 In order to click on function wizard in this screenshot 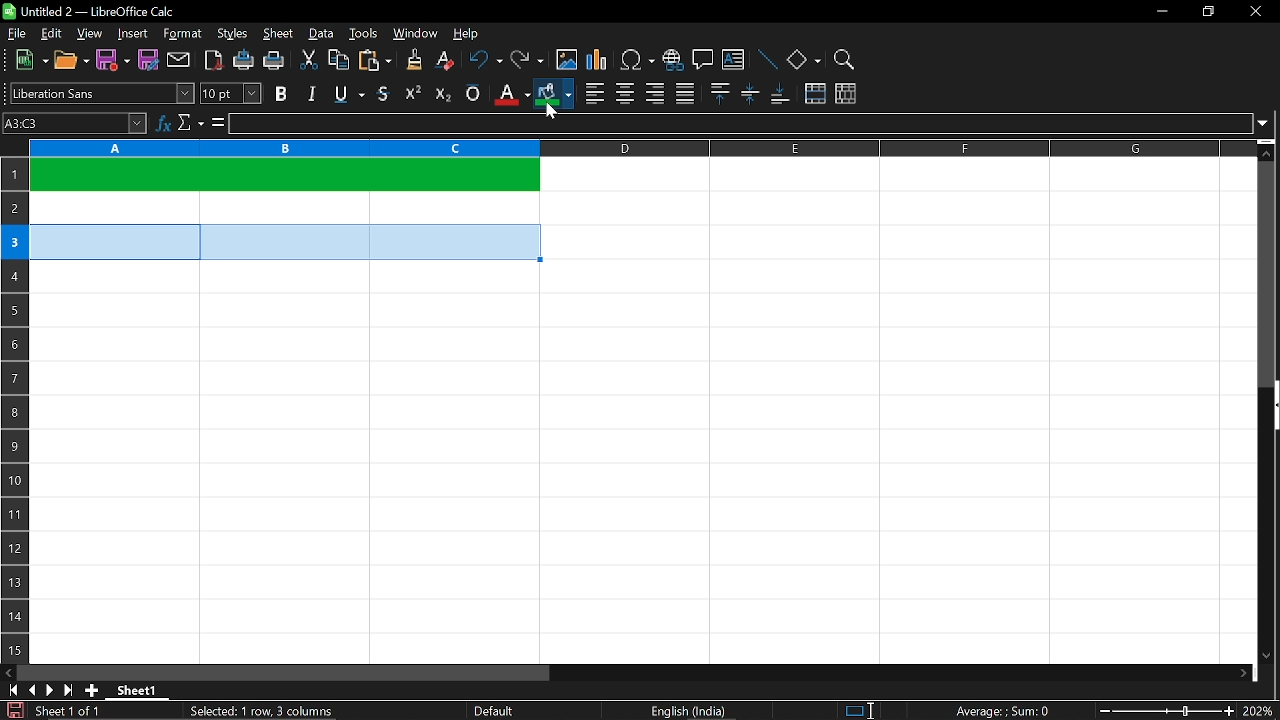, I will do `click(163, 124)`.